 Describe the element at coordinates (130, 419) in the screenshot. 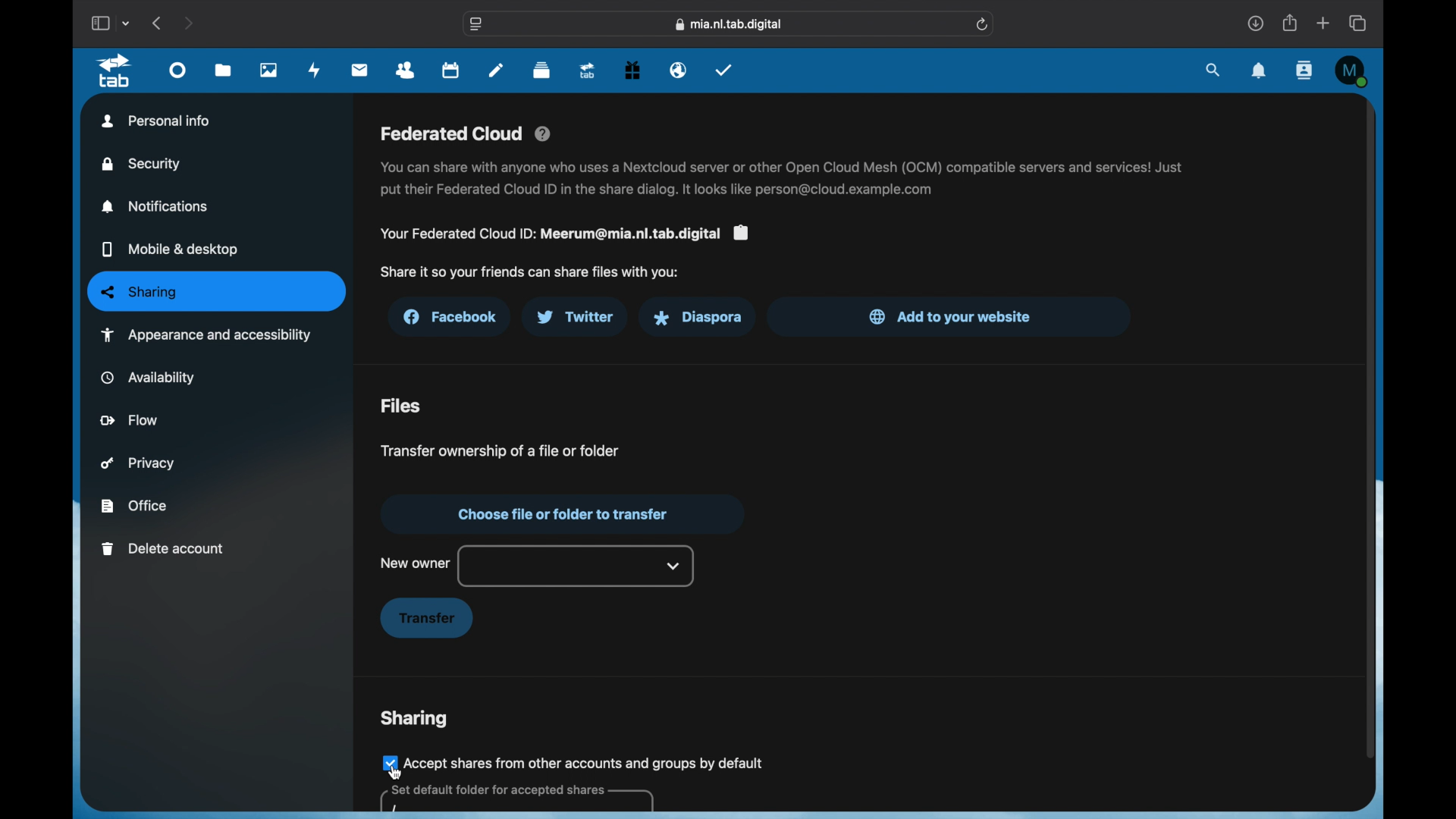

I see `flow` at that location.